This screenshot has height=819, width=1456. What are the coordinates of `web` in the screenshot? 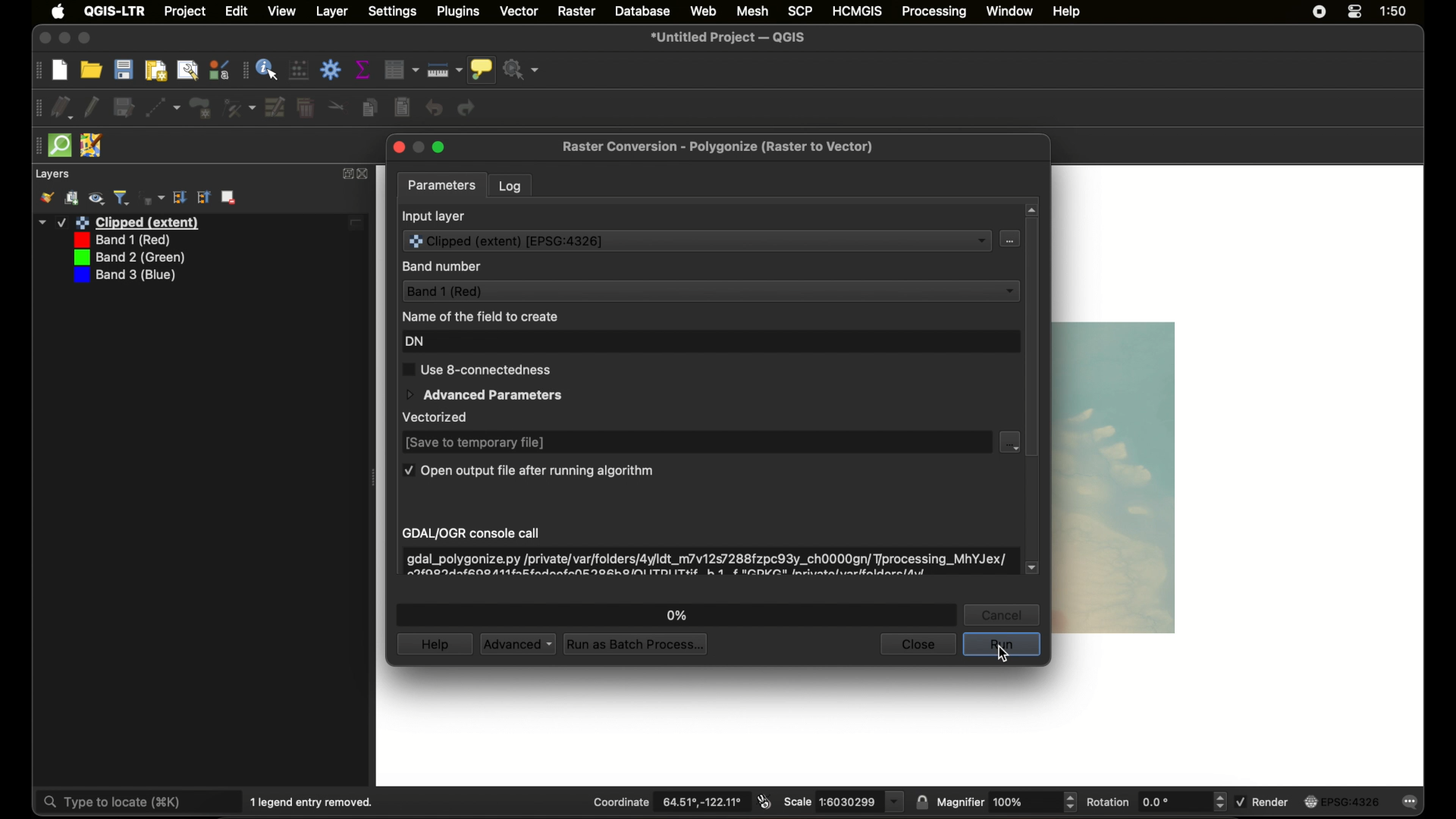 It's located at (704, 11).